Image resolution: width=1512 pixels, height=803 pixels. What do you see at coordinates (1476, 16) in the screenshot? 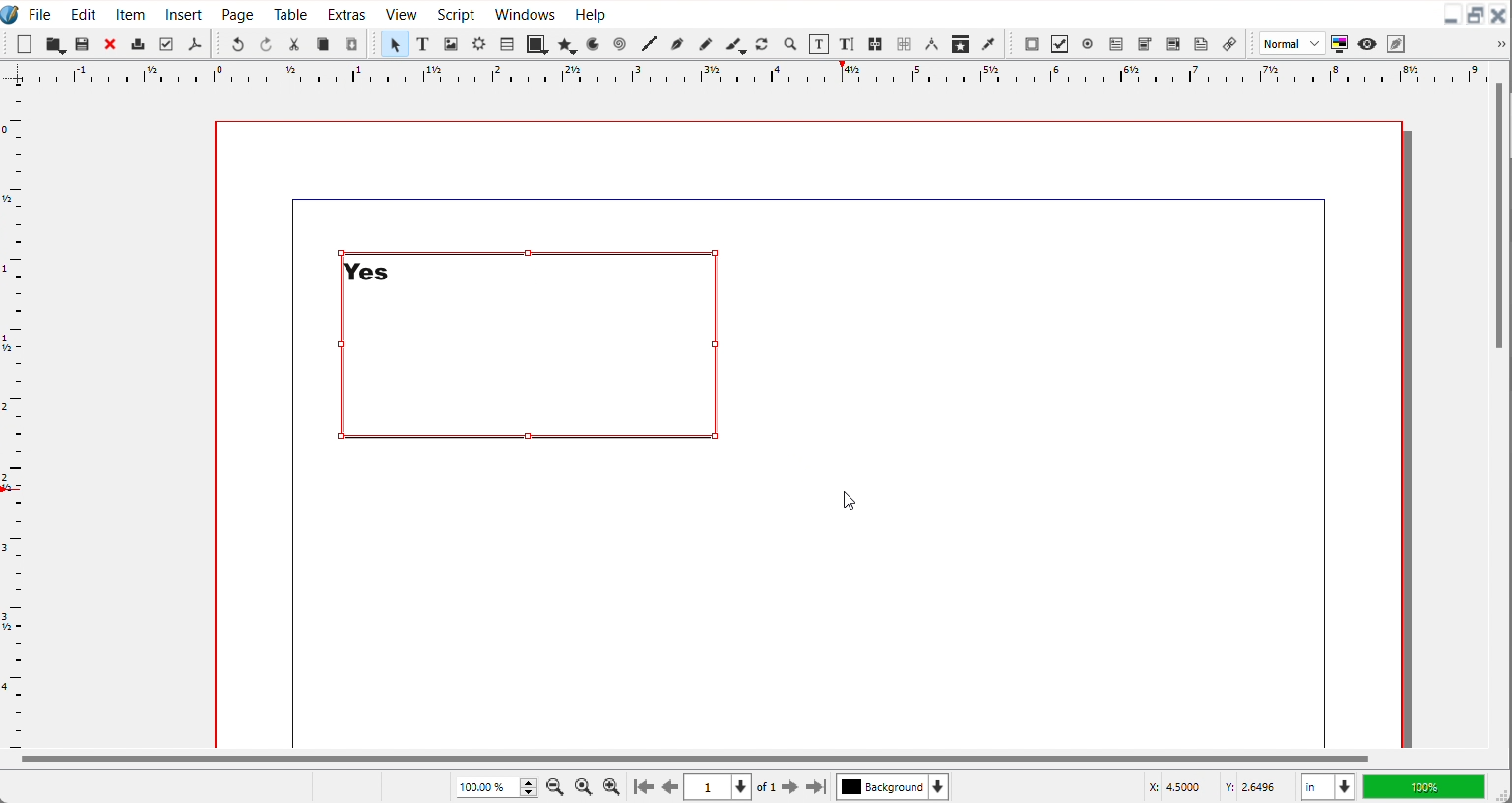
I see `Maximize` at bounding box center [1476, 16].